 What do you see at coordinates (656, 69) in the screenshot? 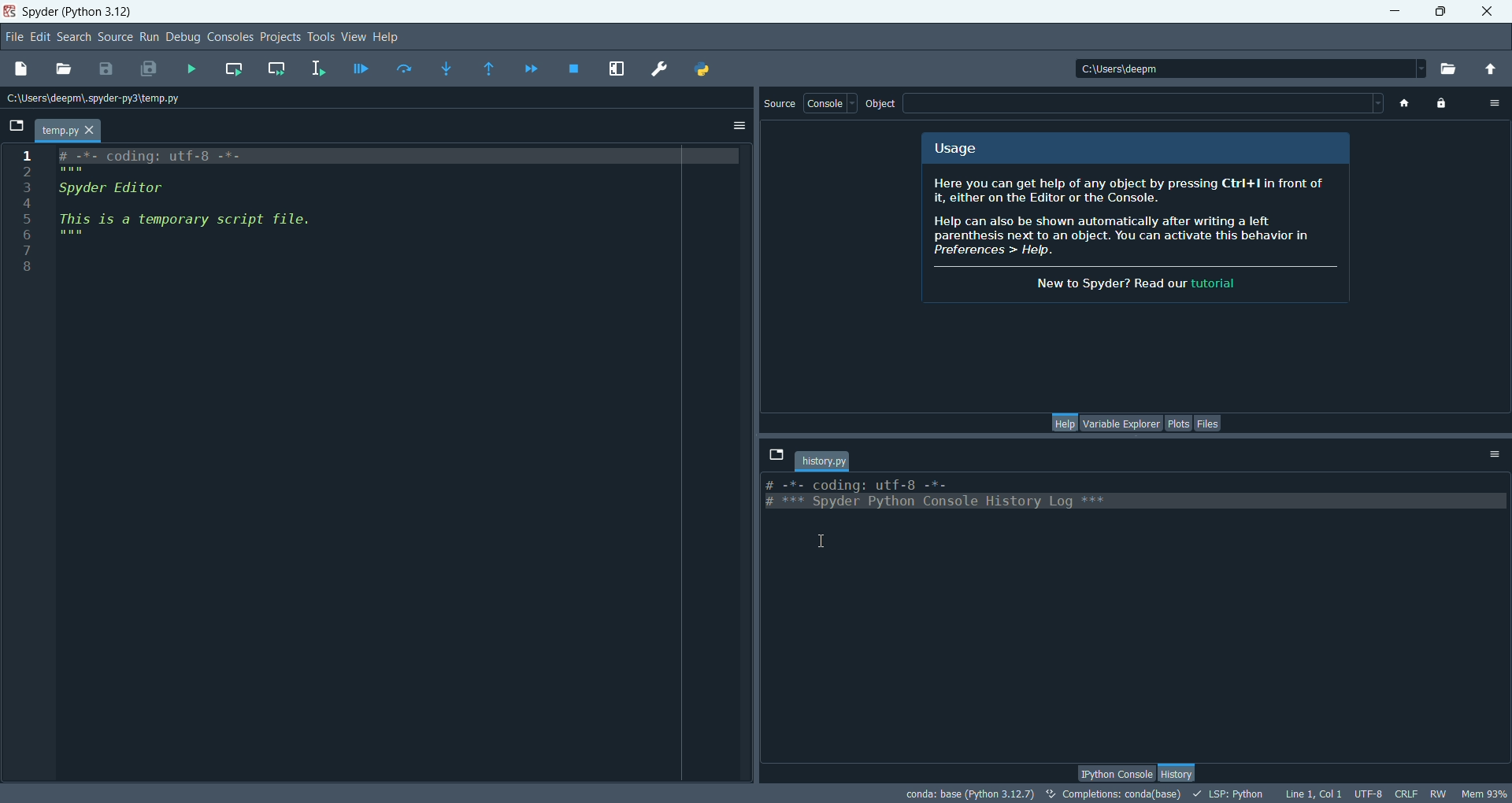
I see `preferences` at bounding box center [656, 69].